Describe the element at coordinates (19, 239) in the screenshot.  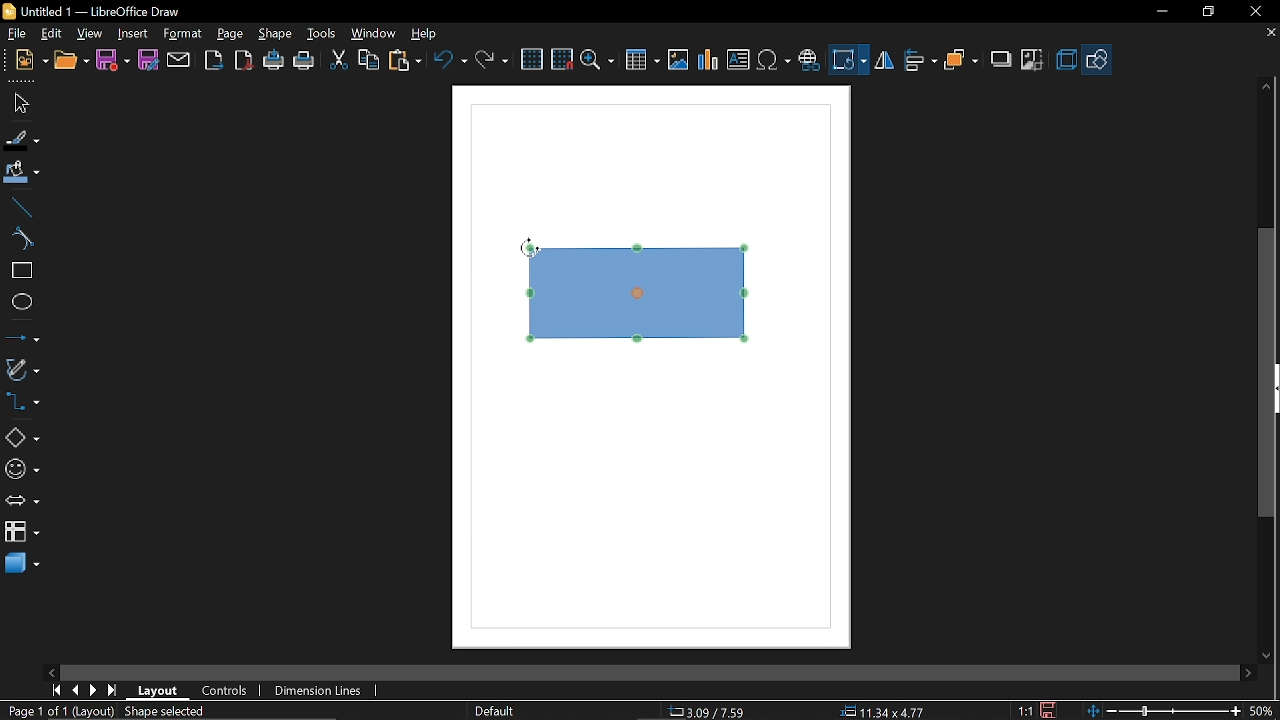
I see `Curve` at that location.